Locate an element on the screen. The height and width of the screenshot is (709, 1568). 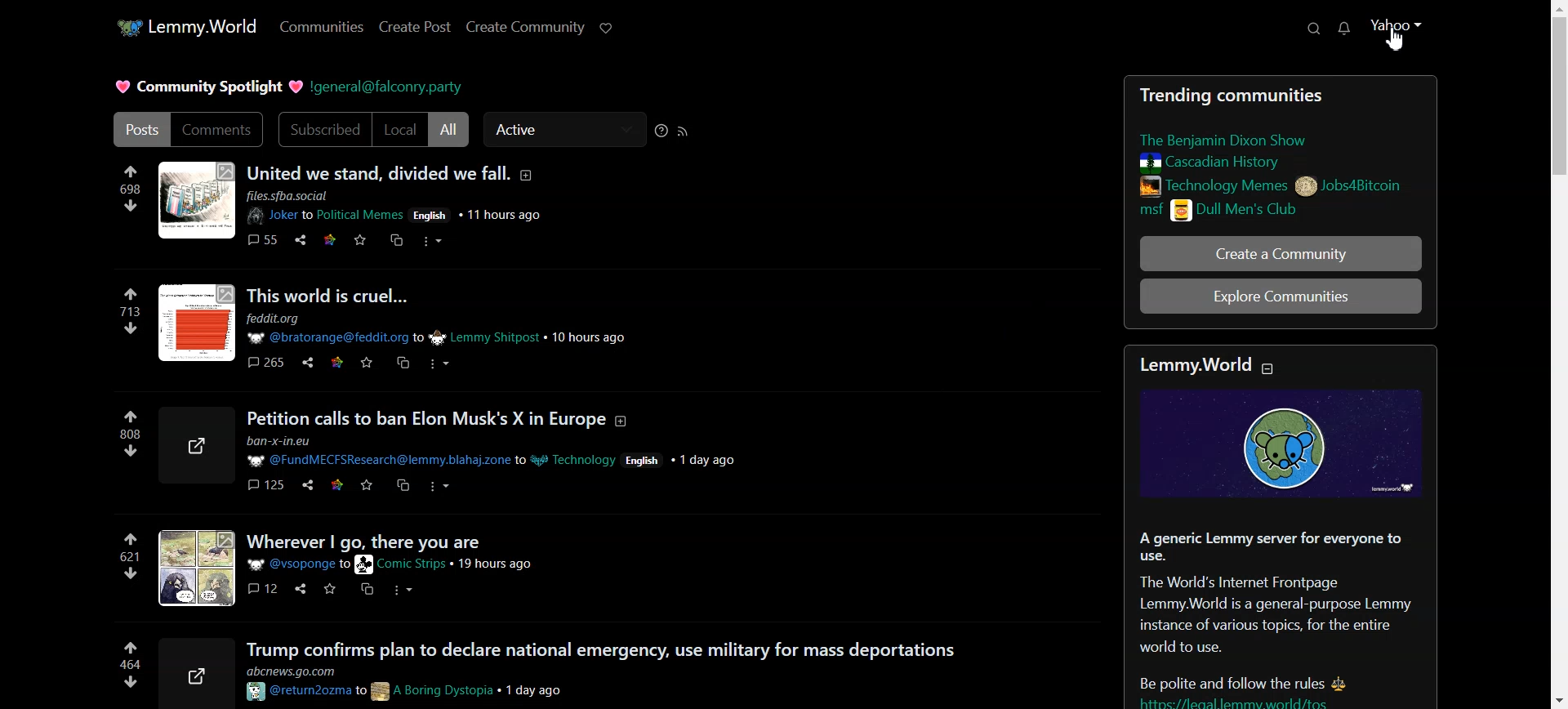
options is located at coordinates (410, 591).